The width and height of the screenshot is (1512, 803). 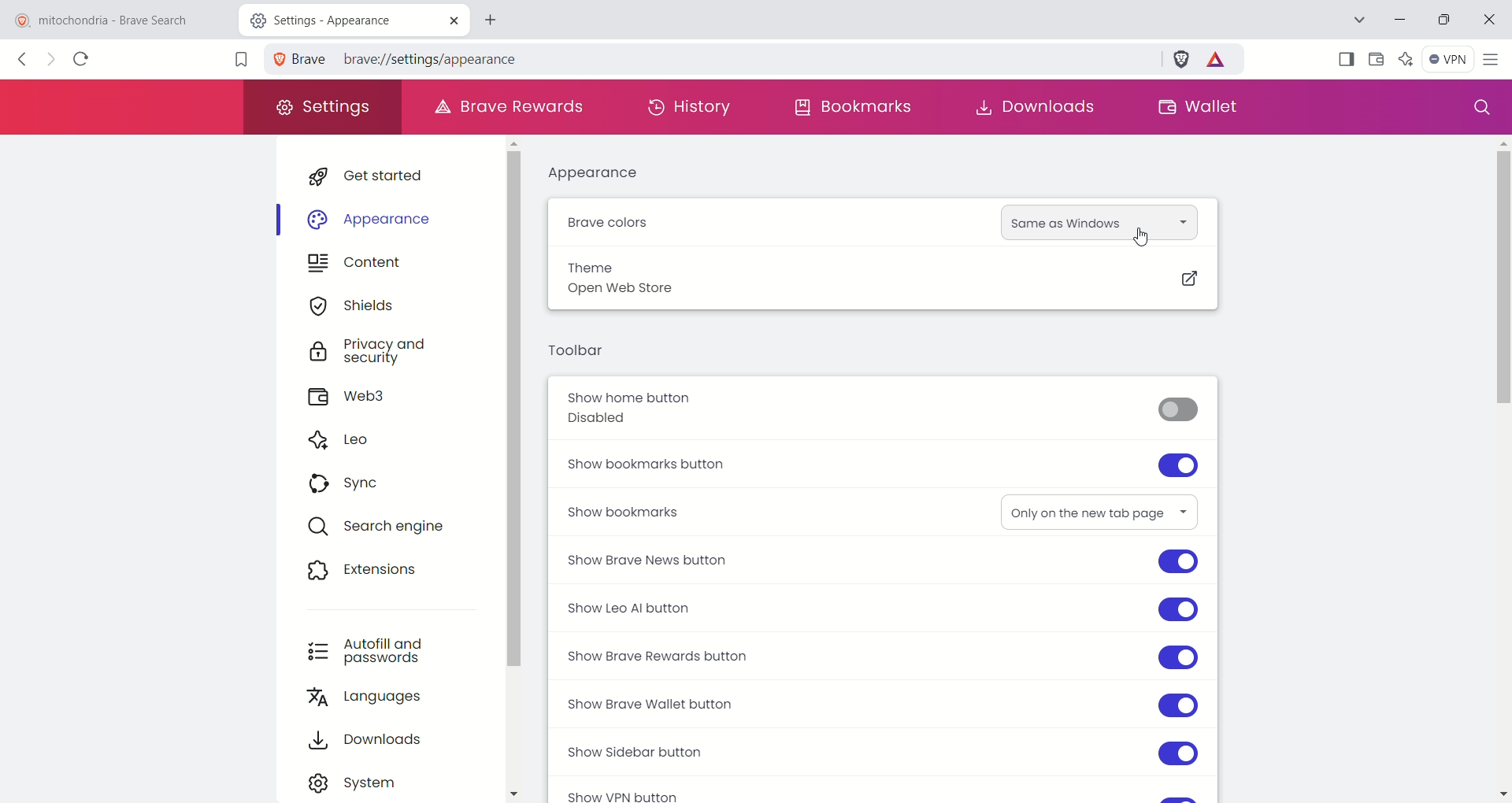 I want to click on wallet, so click(x=1376, y=59).